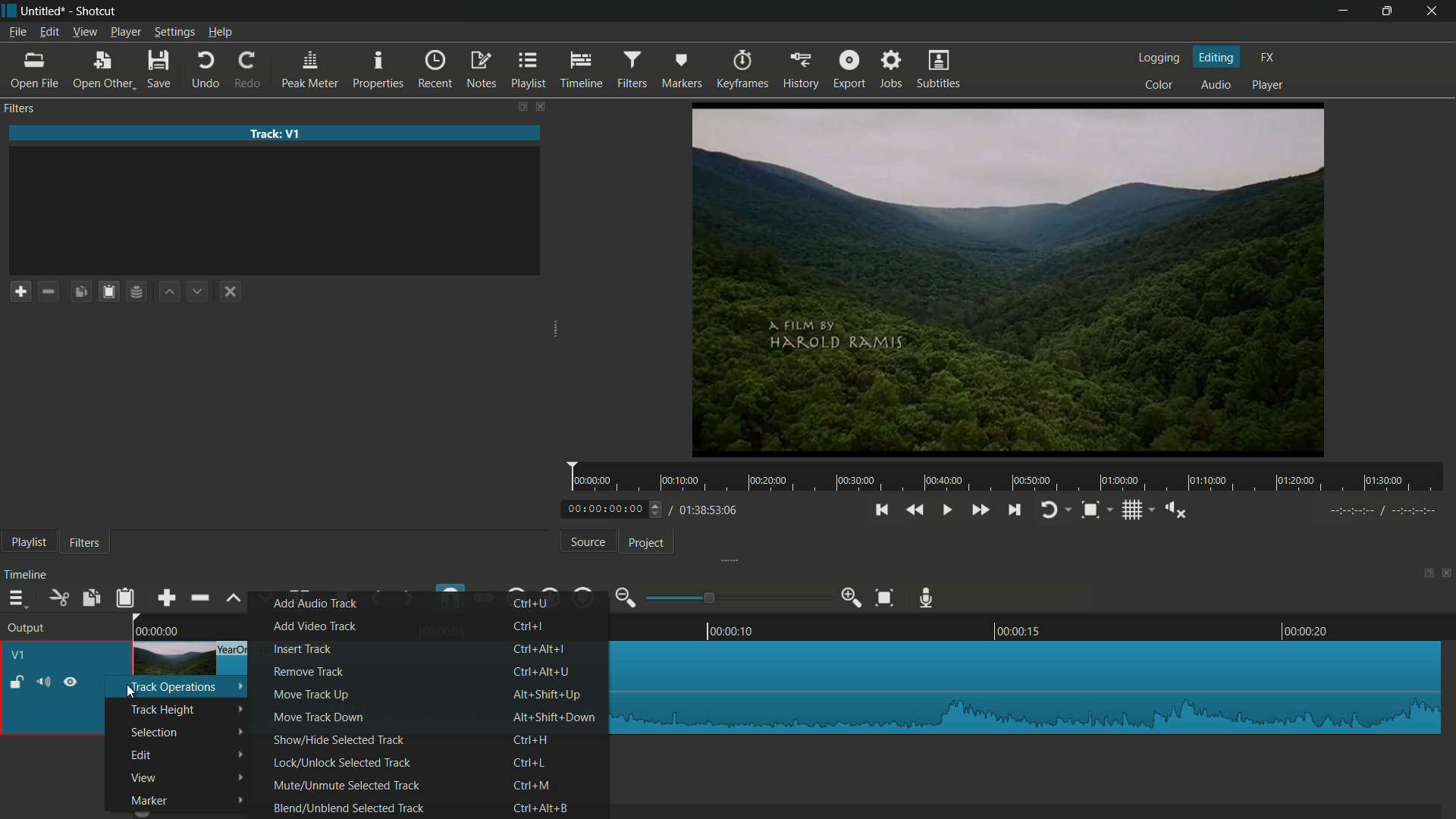 The width and height of the screenshot is (1456, 819). What do you see at coordinates (17, 33) in the screenshot?
I see `file menu` at bounding box center [17, 33].